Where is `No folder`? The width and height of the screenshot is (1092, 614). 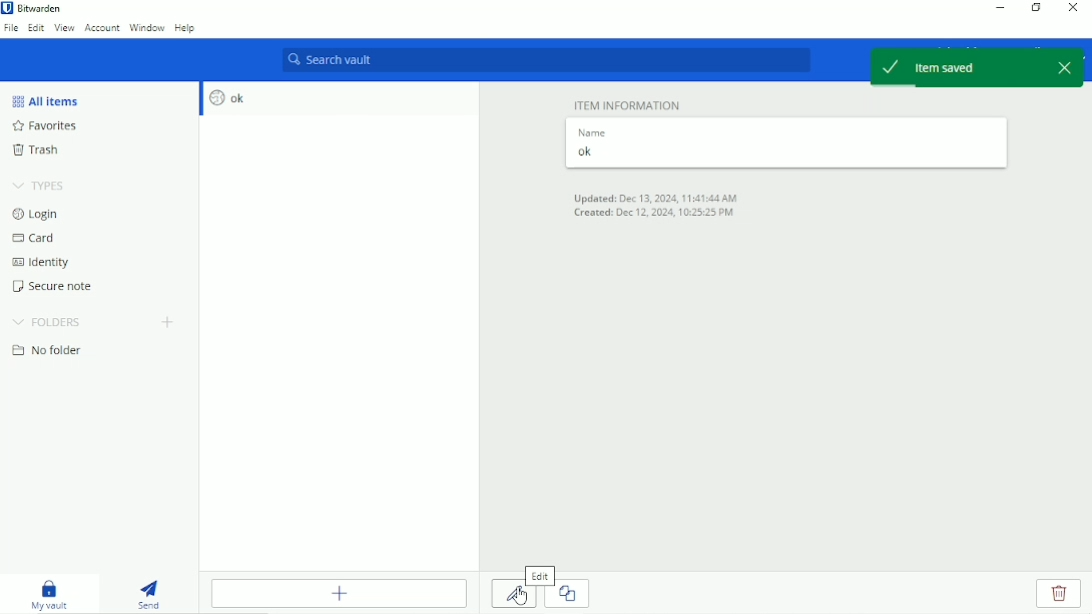 No folder is located at coordinates (49, 351).